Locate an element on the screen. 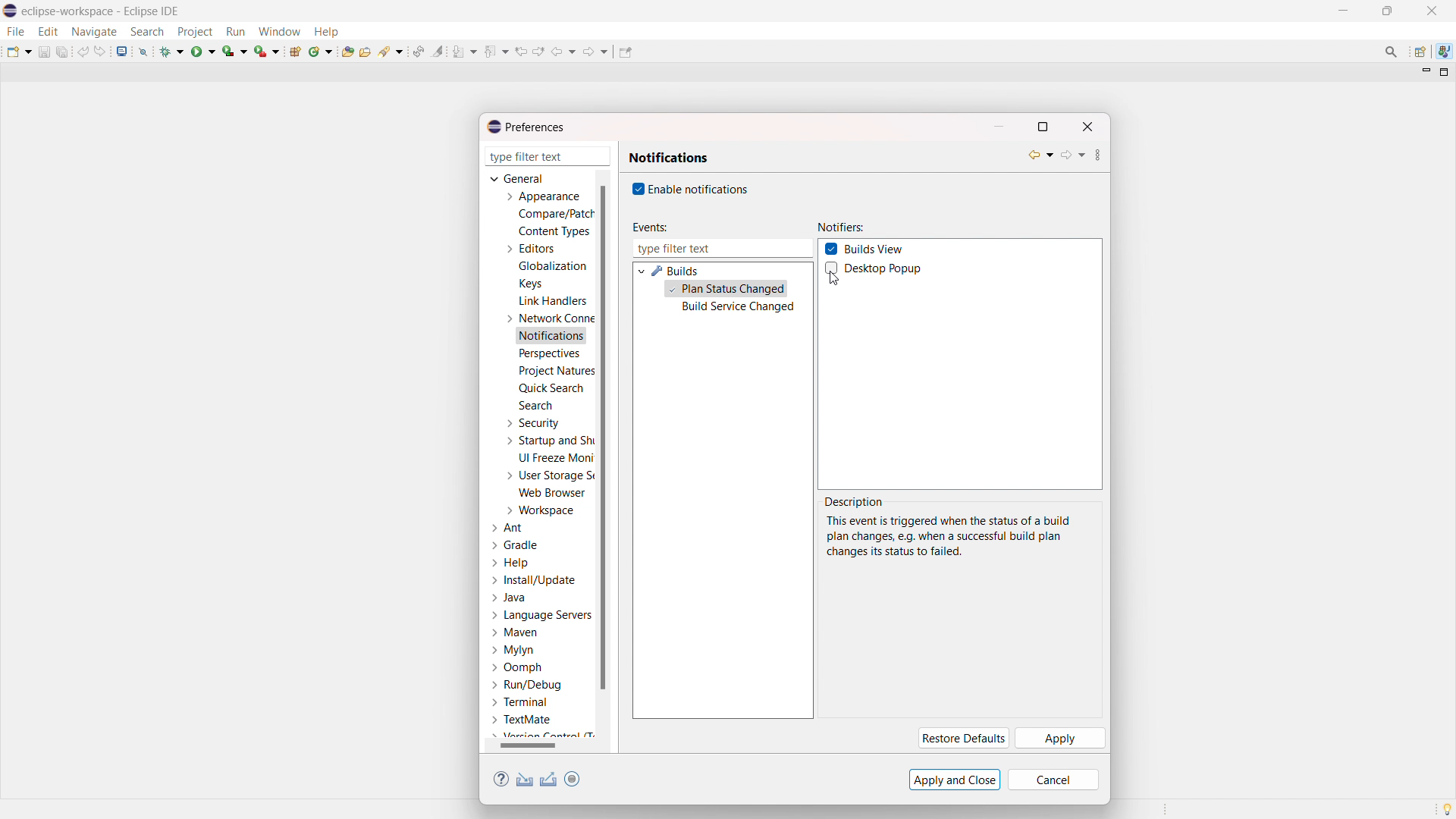 Image resolution: width=1456 pixels, height=819 pixels. toggle ant mark occurances is located at coordinates (438, 51).